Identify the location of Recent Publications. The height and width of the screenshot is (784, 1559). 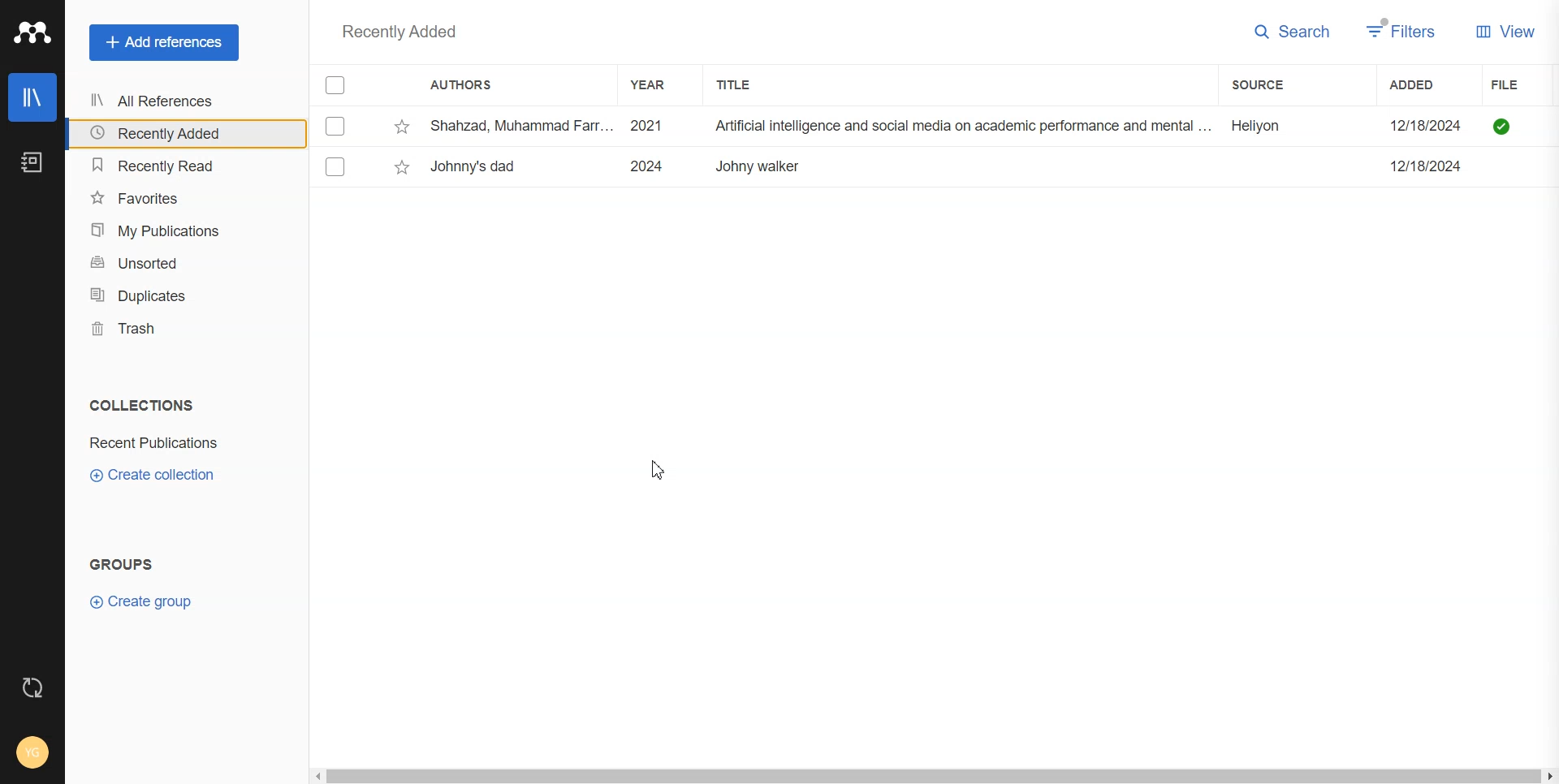
(167, 443).